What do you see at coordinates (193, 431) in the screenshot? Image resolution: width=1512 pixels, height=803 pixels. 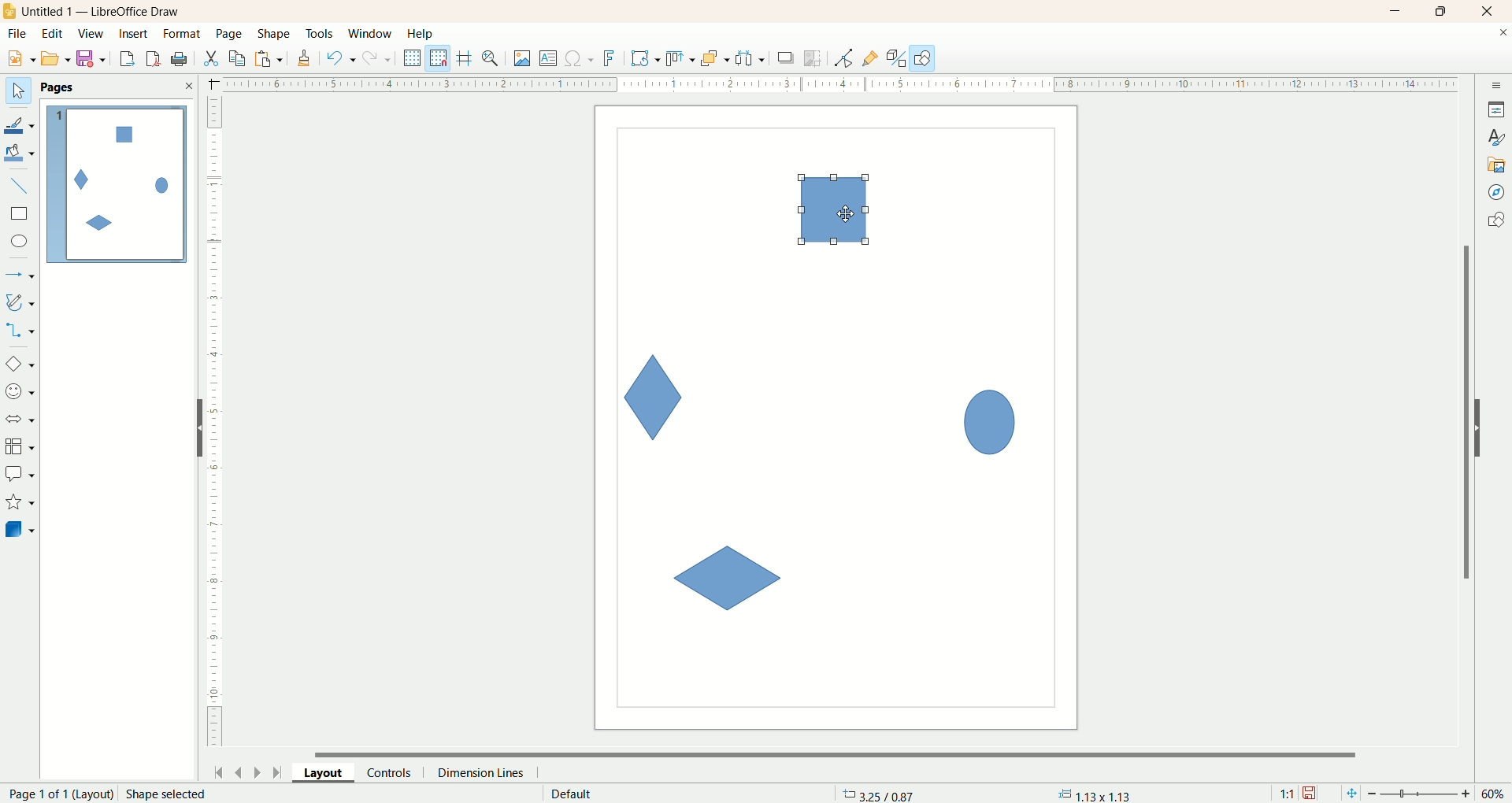 I see `hide` at bounding box center [193, 431].